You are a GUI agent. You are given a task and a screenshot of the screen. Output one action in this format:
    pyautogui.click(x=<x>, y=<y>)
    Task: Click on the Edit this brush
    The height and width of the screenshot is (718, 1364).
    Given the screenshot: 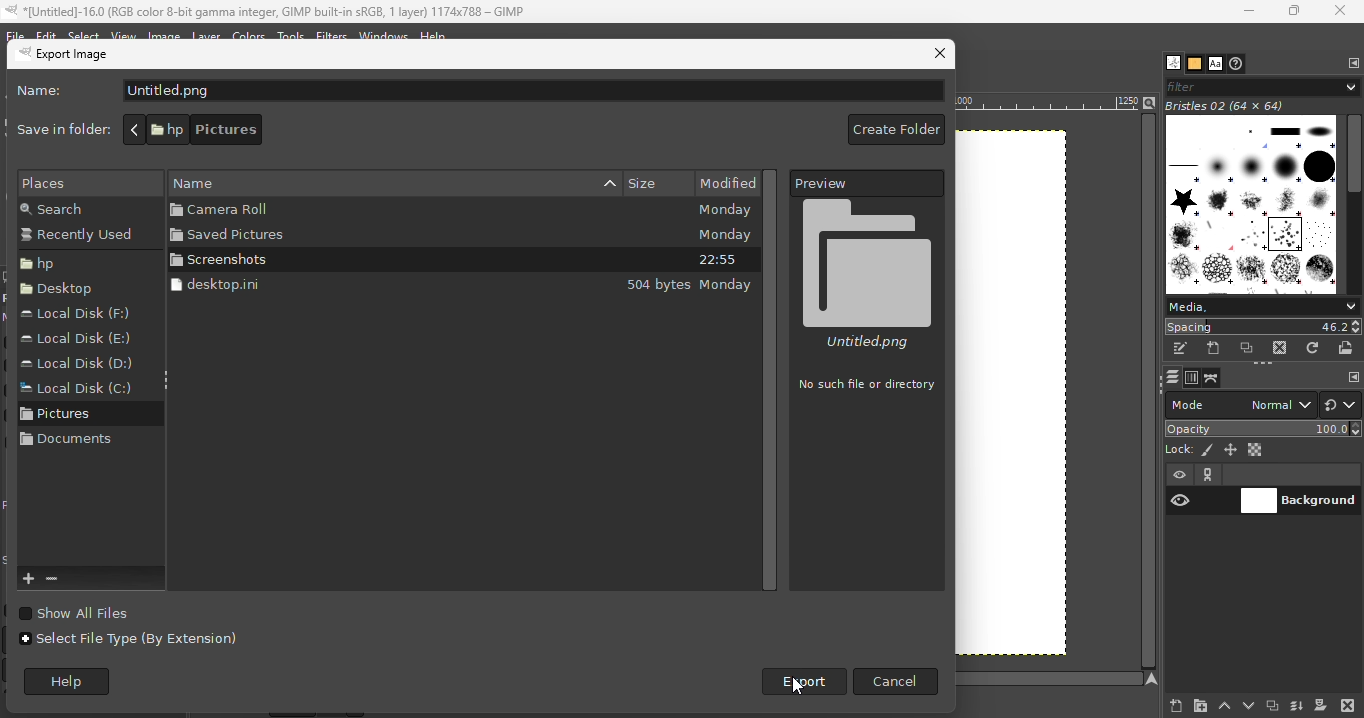 What is the action you would take?
    pyautogui.click(x=1180, y=349)
    